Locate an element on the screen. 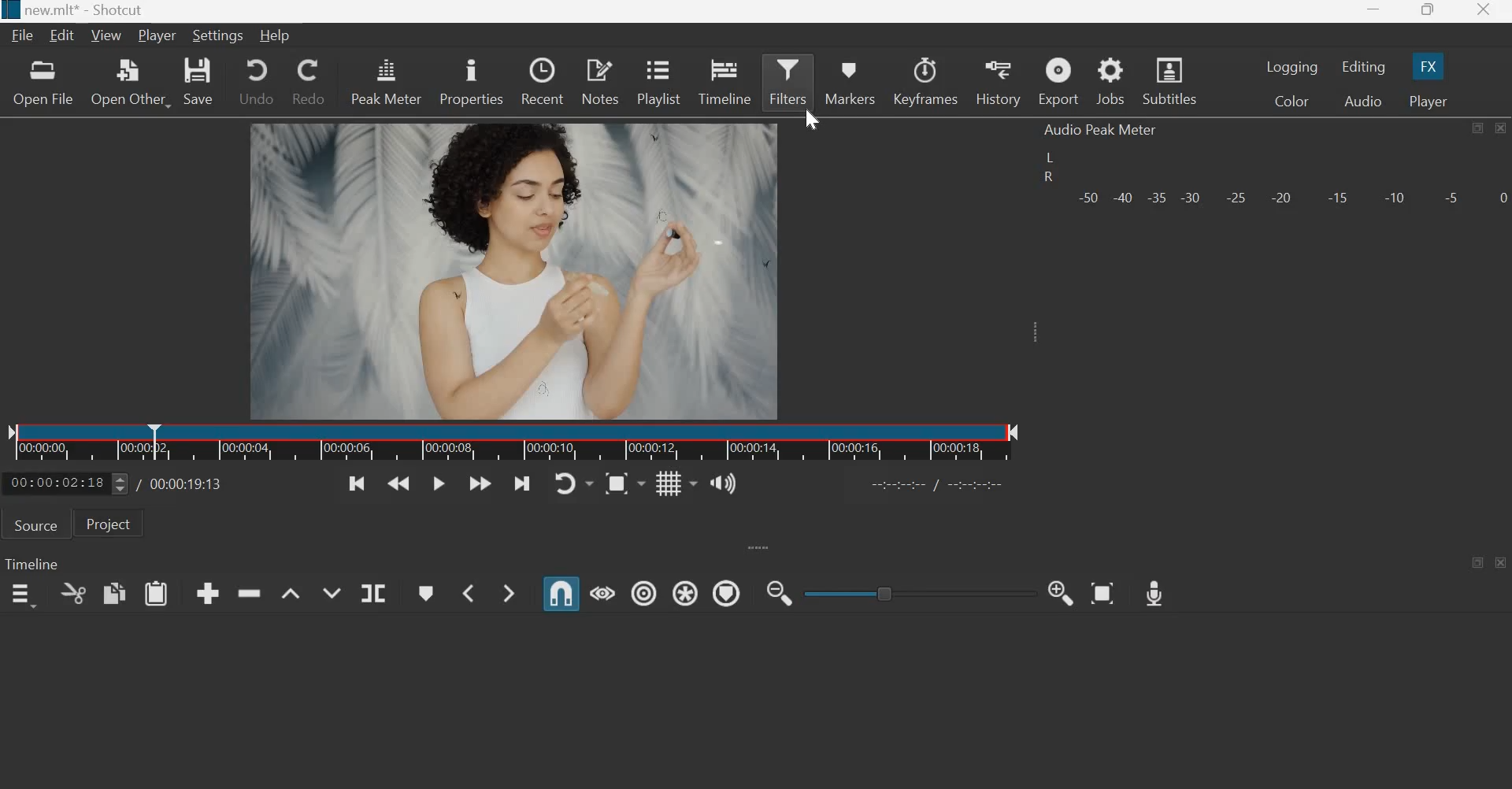 The height and width of the screenshot is (789, 1512). expand is located at coordinates (766, 547).